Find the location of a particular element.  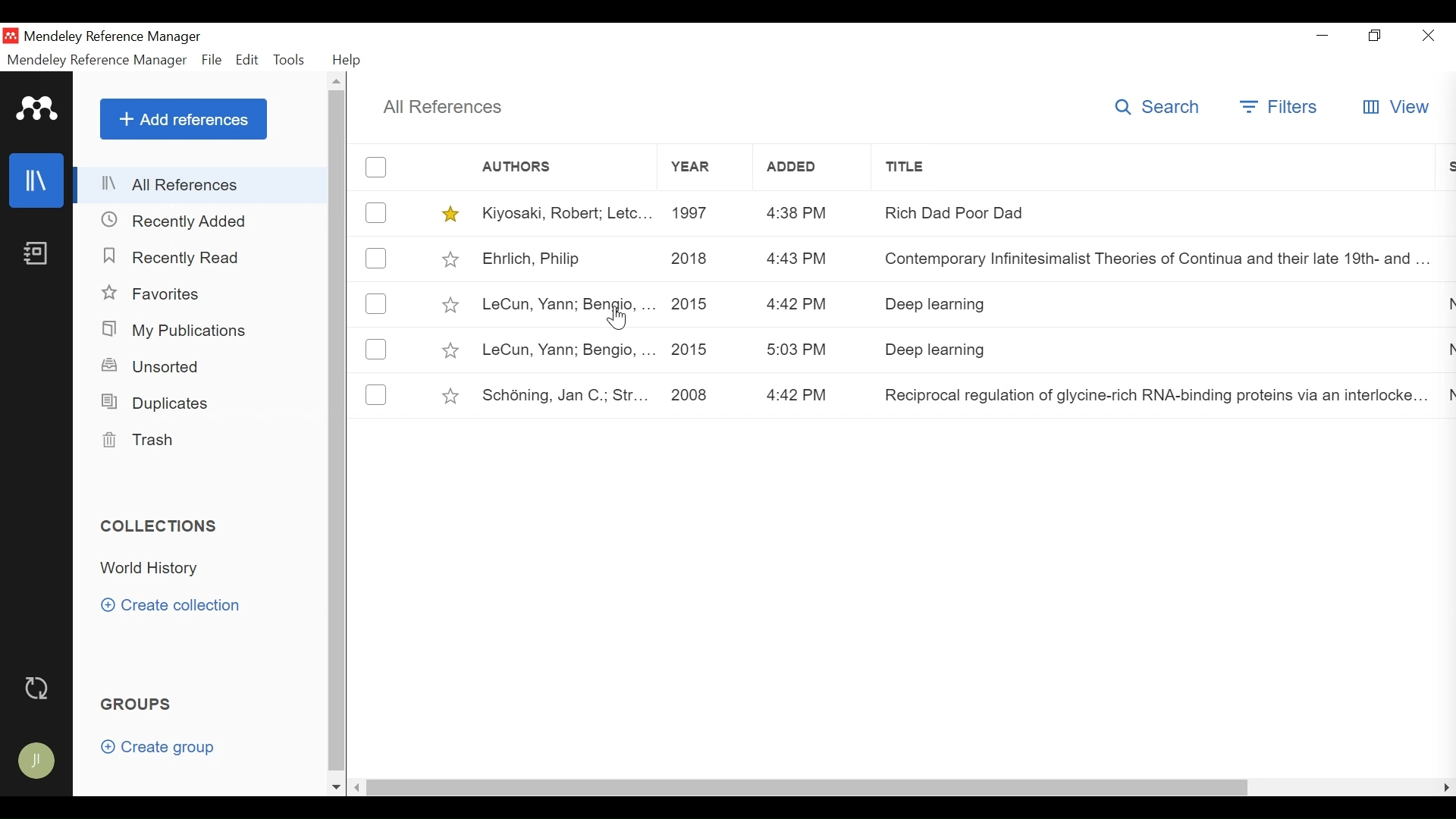

Added is located at coordinates (814, 167).